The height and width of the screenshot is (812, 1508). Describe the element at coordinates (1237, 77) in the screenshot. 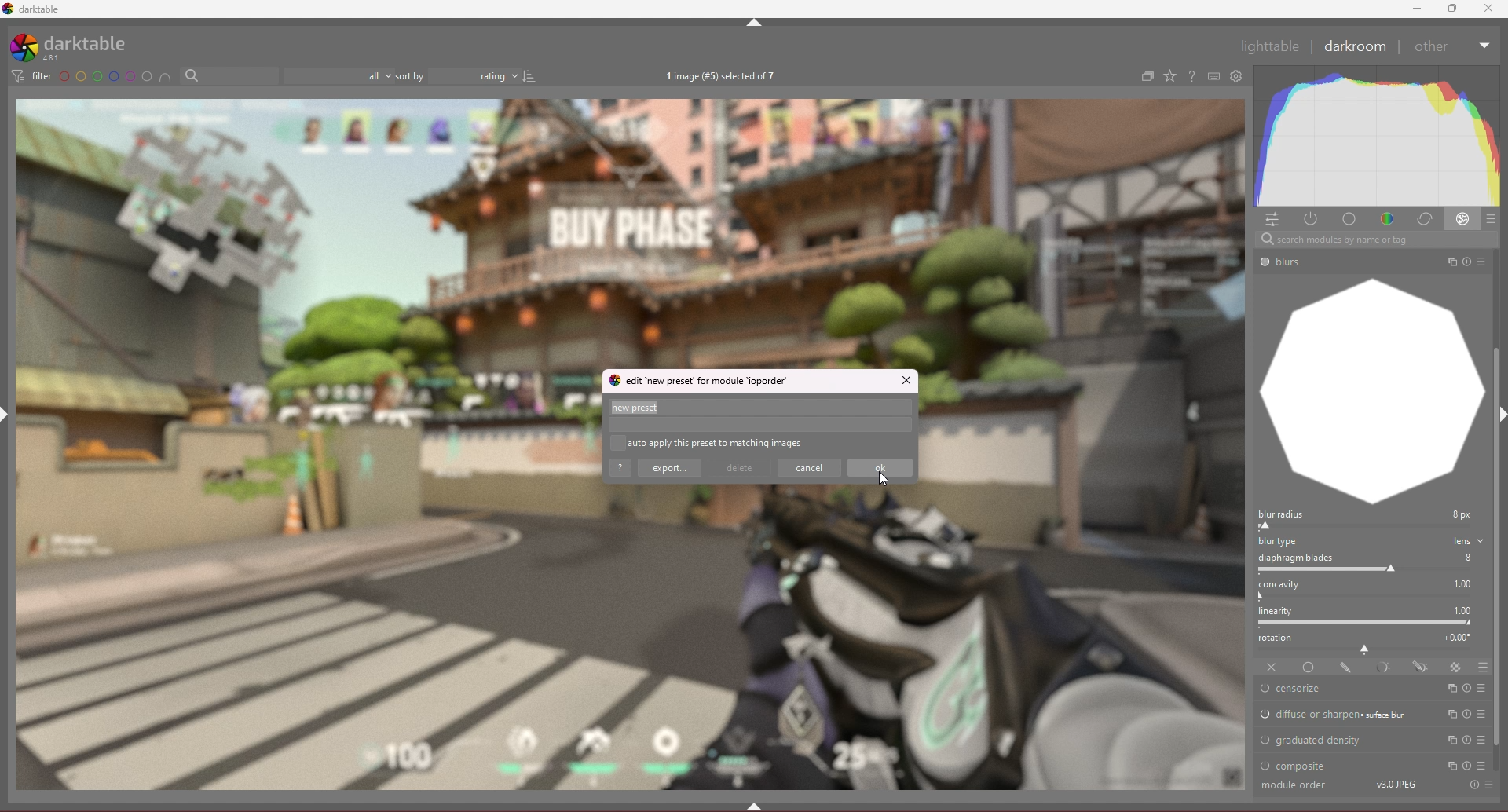

I see `open global preference` at that location.